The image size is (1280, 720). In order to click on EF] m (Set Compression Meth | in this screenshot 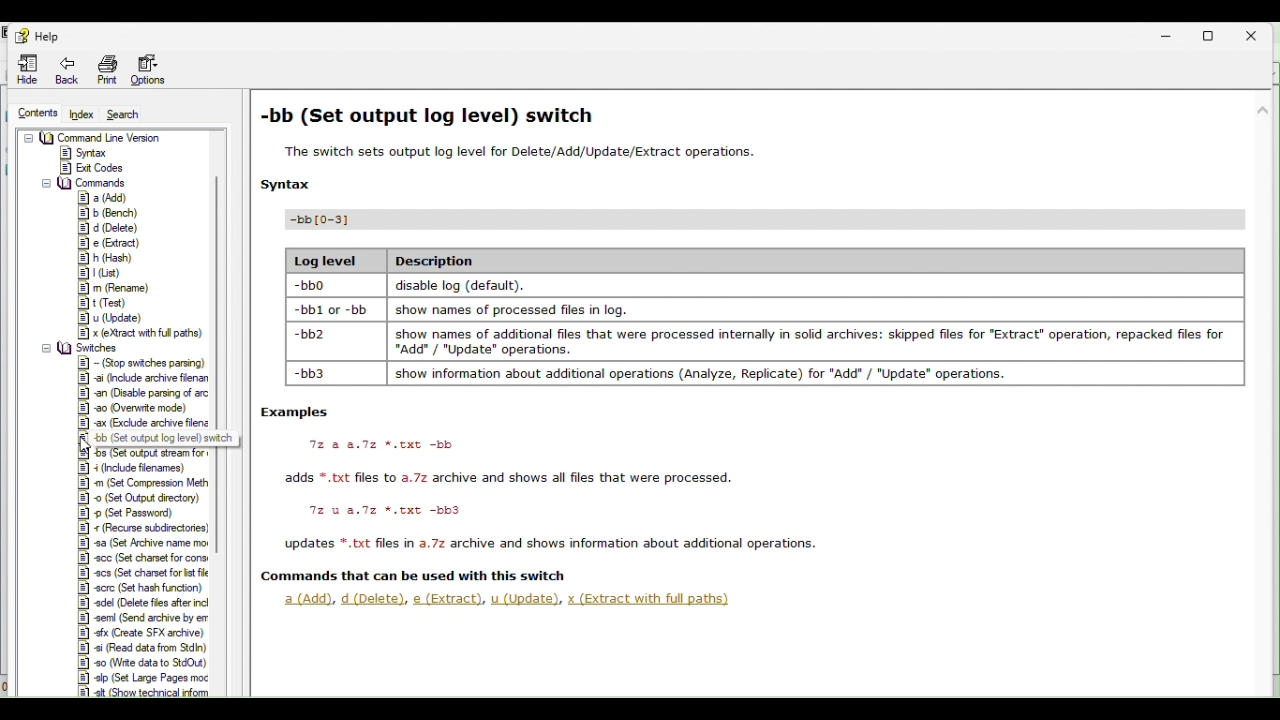, I will do `click(147, 483)`.